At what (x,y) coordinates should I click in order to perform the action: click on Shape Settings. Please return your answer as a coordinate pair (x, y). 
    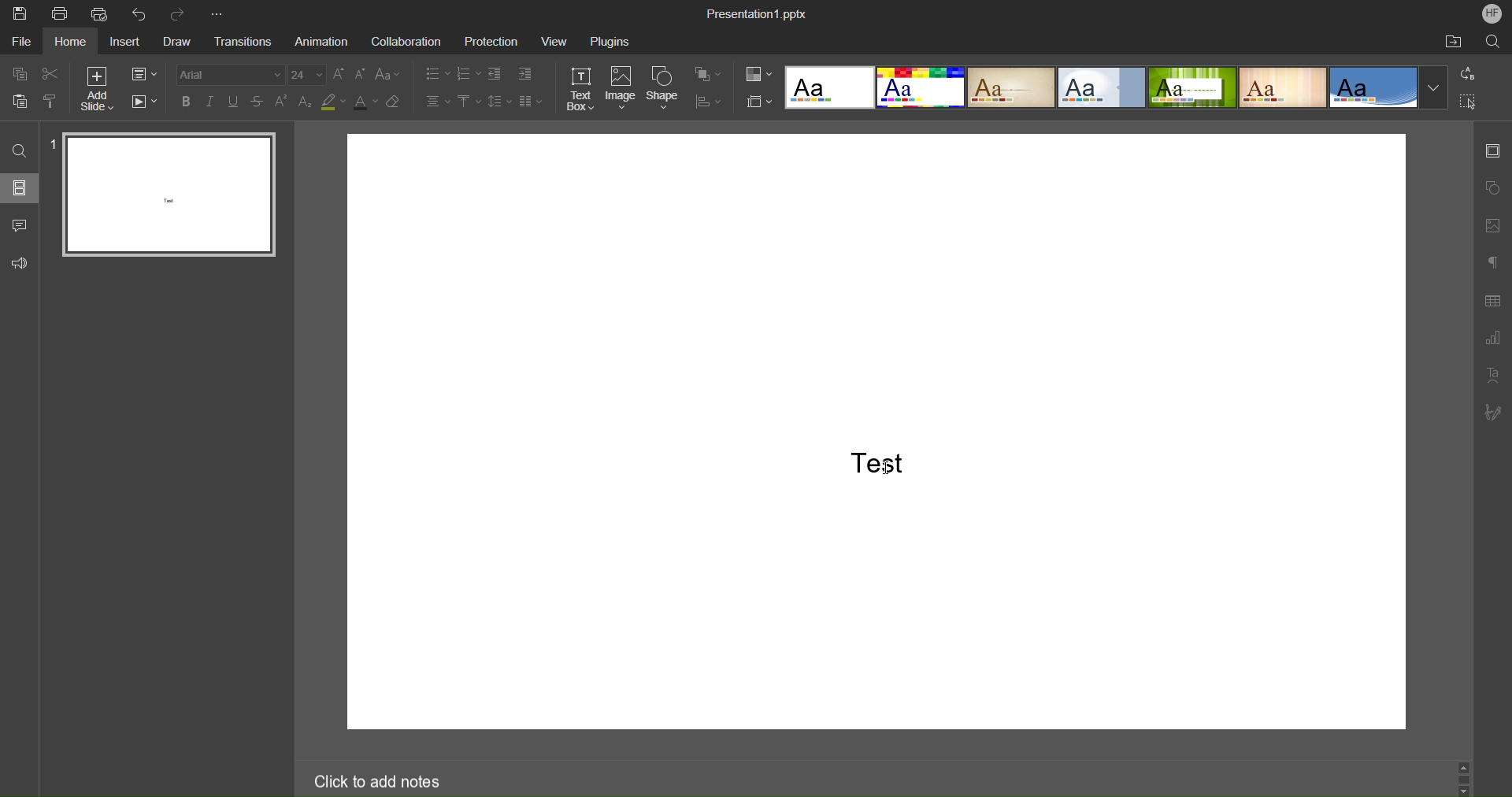
    Looking at the image, I should click on (1492, 188).